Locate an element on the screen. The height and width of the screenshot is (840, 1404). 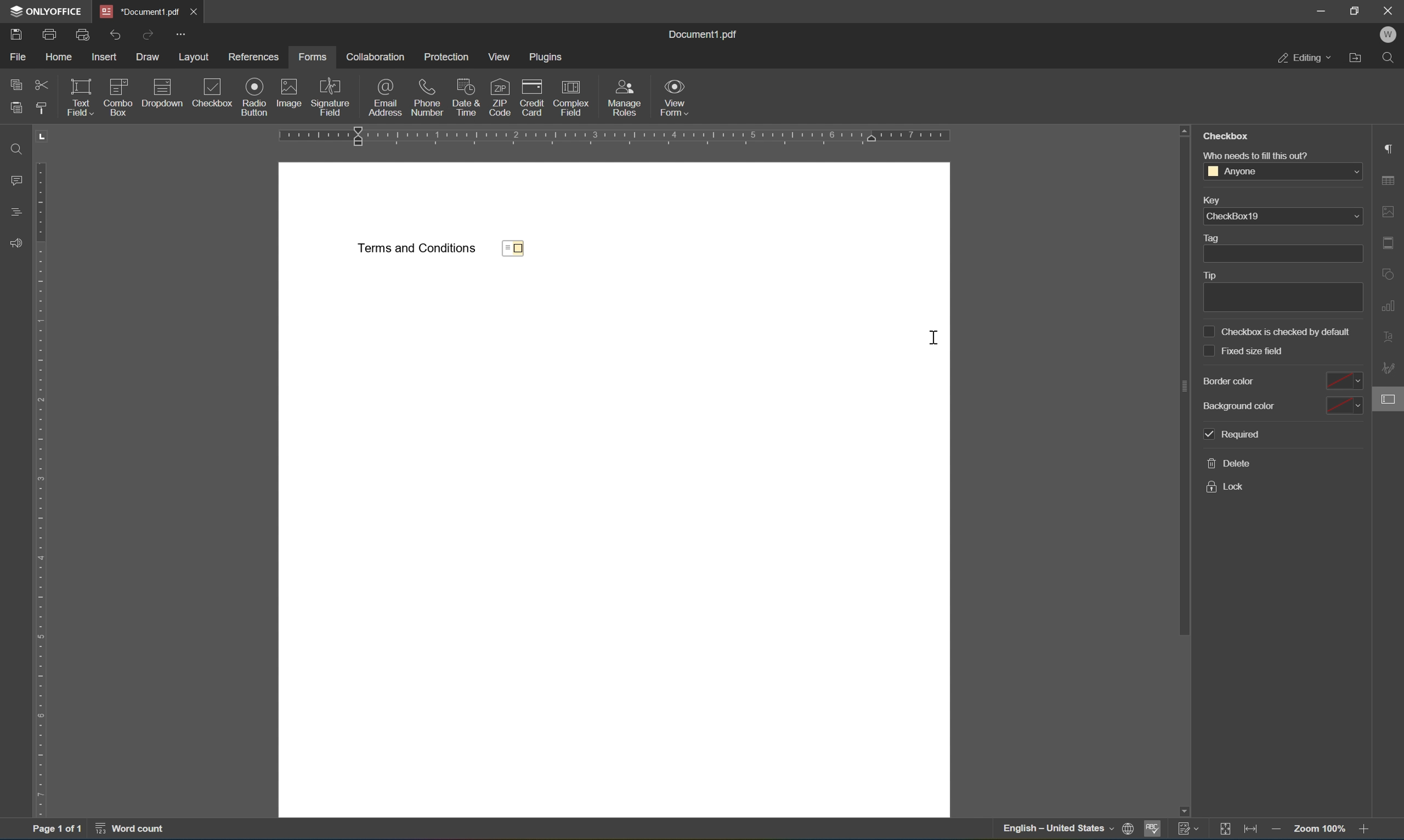
cut is located at coordinates (42, 86).